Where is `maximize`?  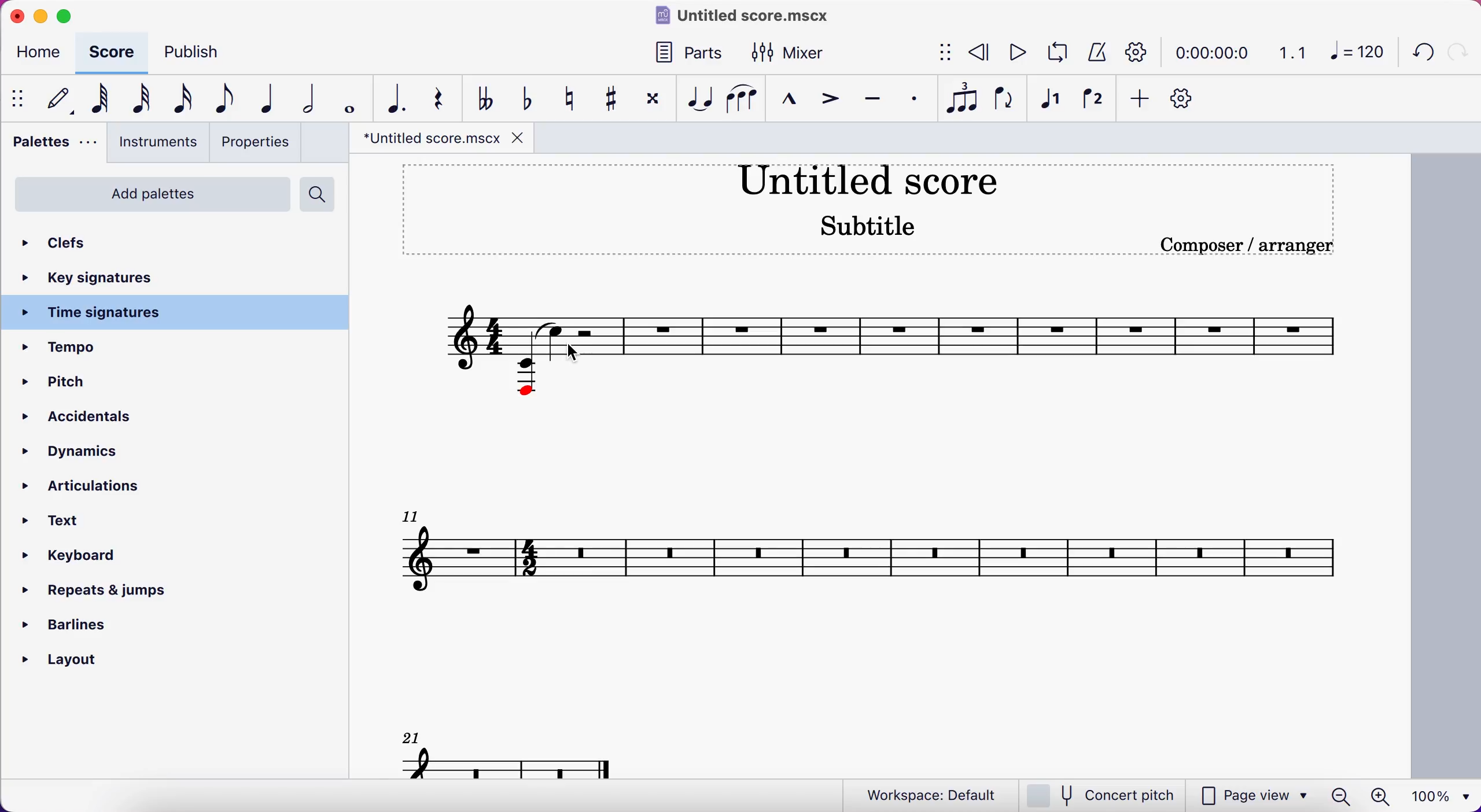
maximize is located at coordinates (73, 17).